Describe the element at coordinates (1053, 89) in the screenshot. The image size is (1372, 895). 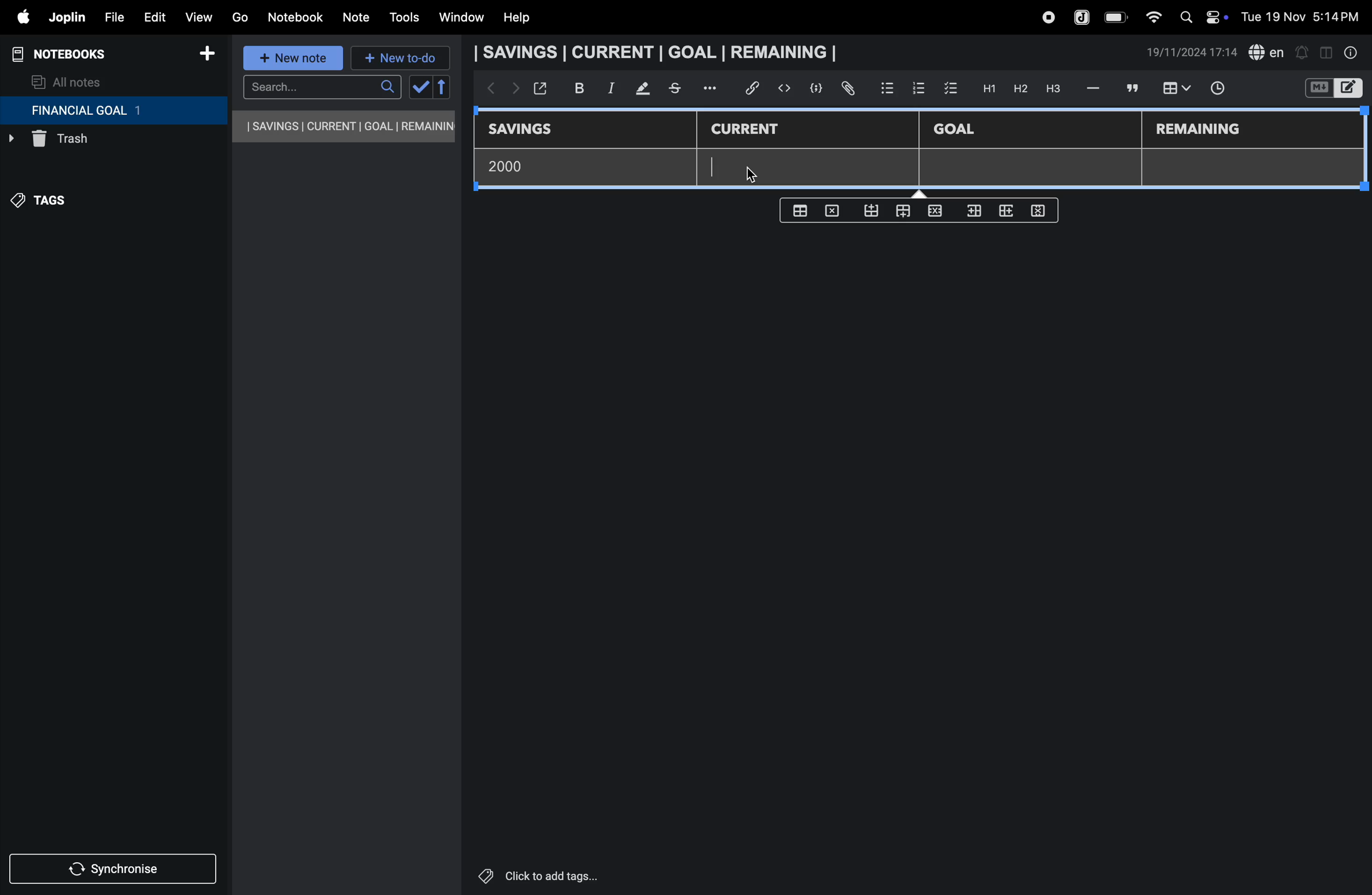
I see `heading 3` at that location.